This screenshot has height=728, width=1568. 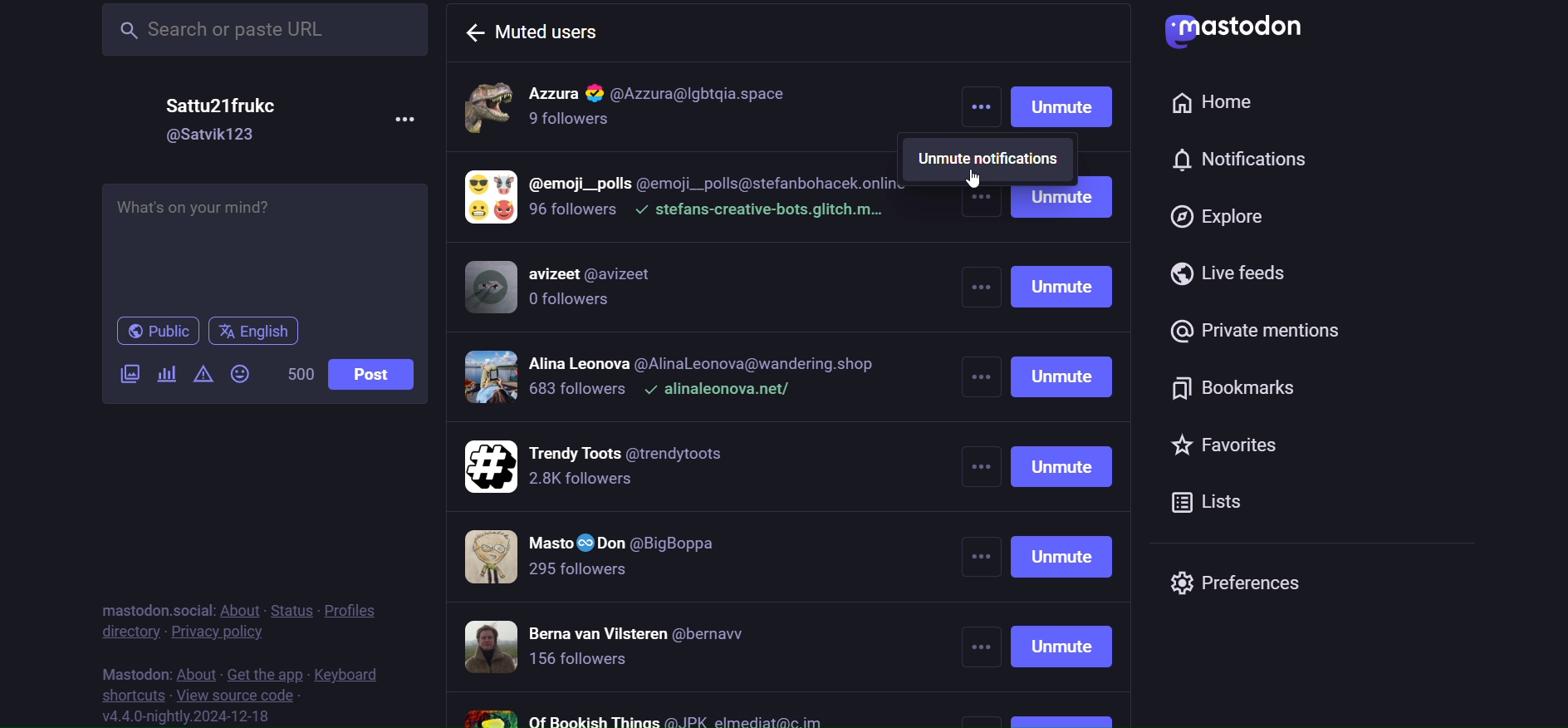 I want to click on muted users, so click(x=541, y=30).